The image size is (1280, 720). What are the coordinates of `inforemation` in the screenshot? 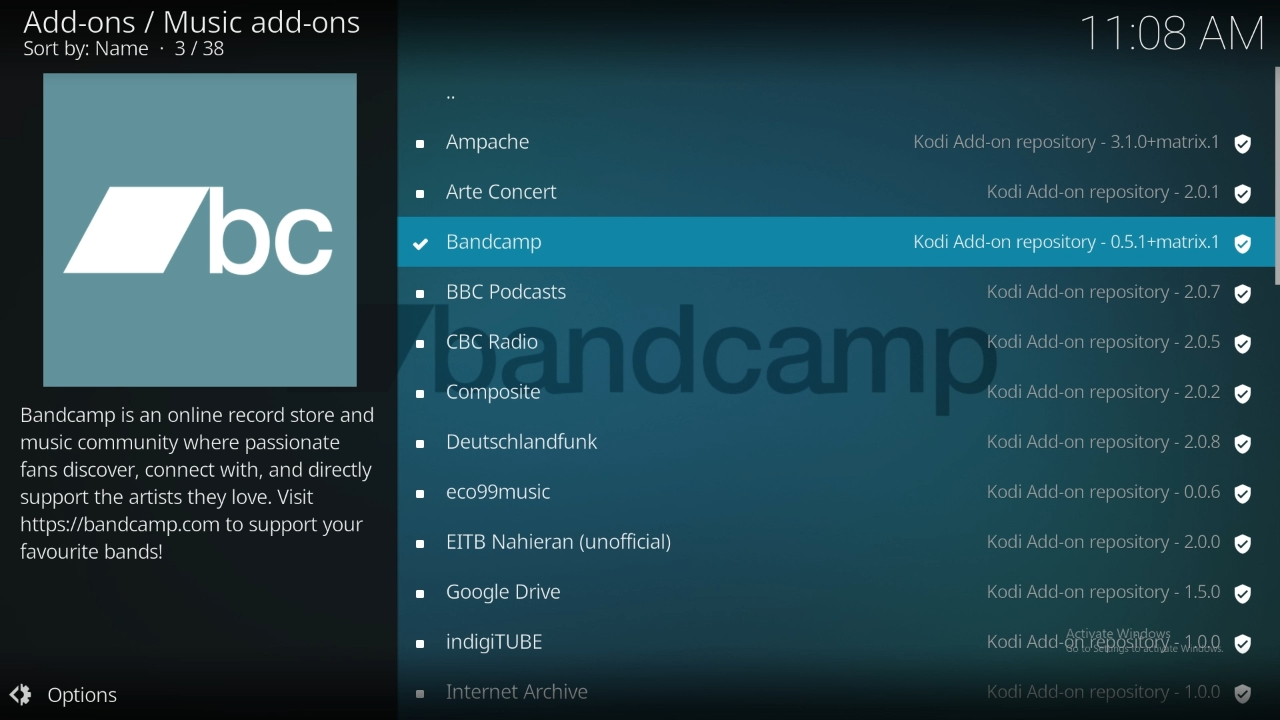 It's located at (195, 34).